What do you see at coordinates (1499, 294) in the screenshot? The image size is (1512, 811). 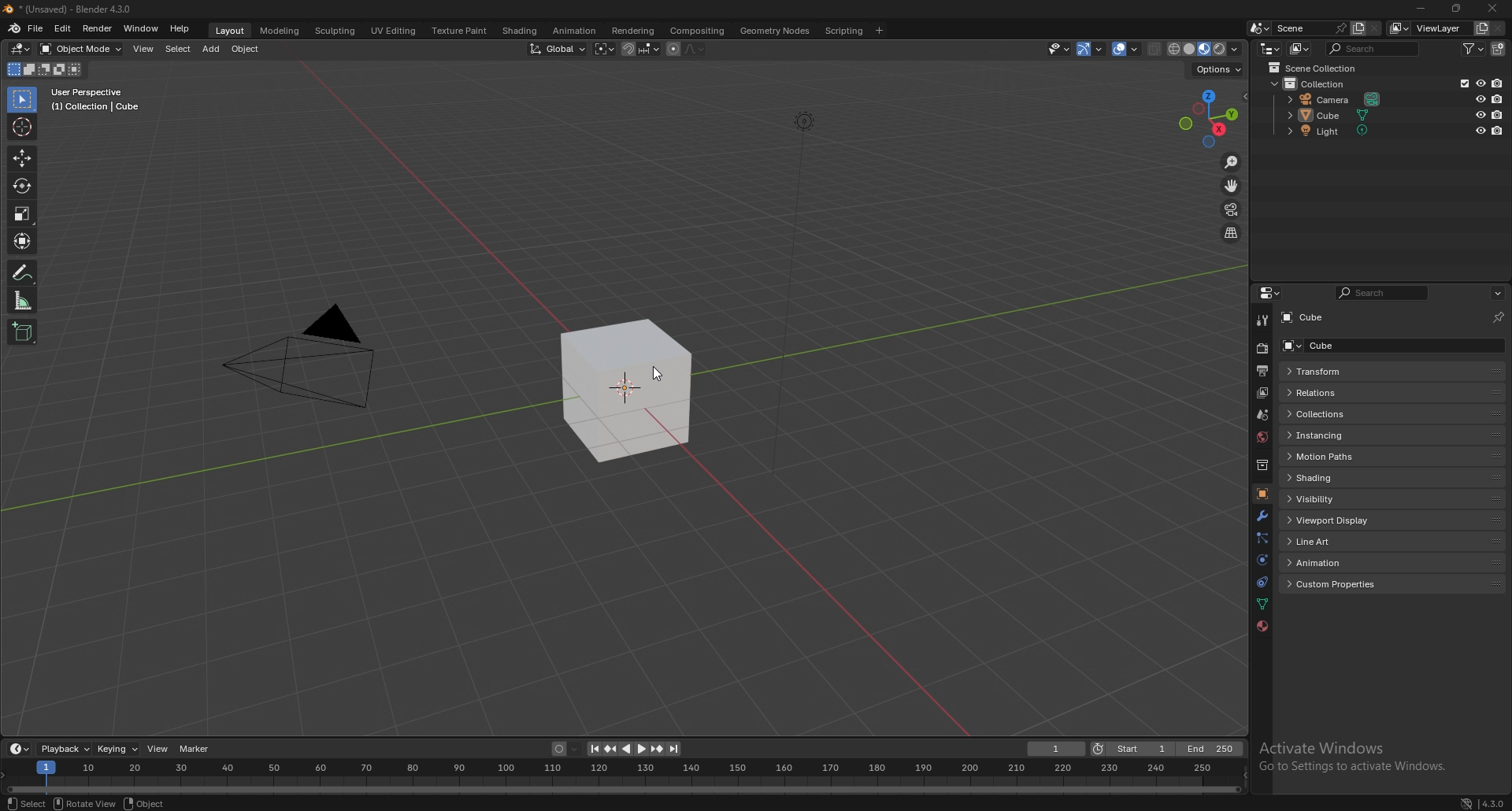 I see `options` at bounding box center [1499, 294].